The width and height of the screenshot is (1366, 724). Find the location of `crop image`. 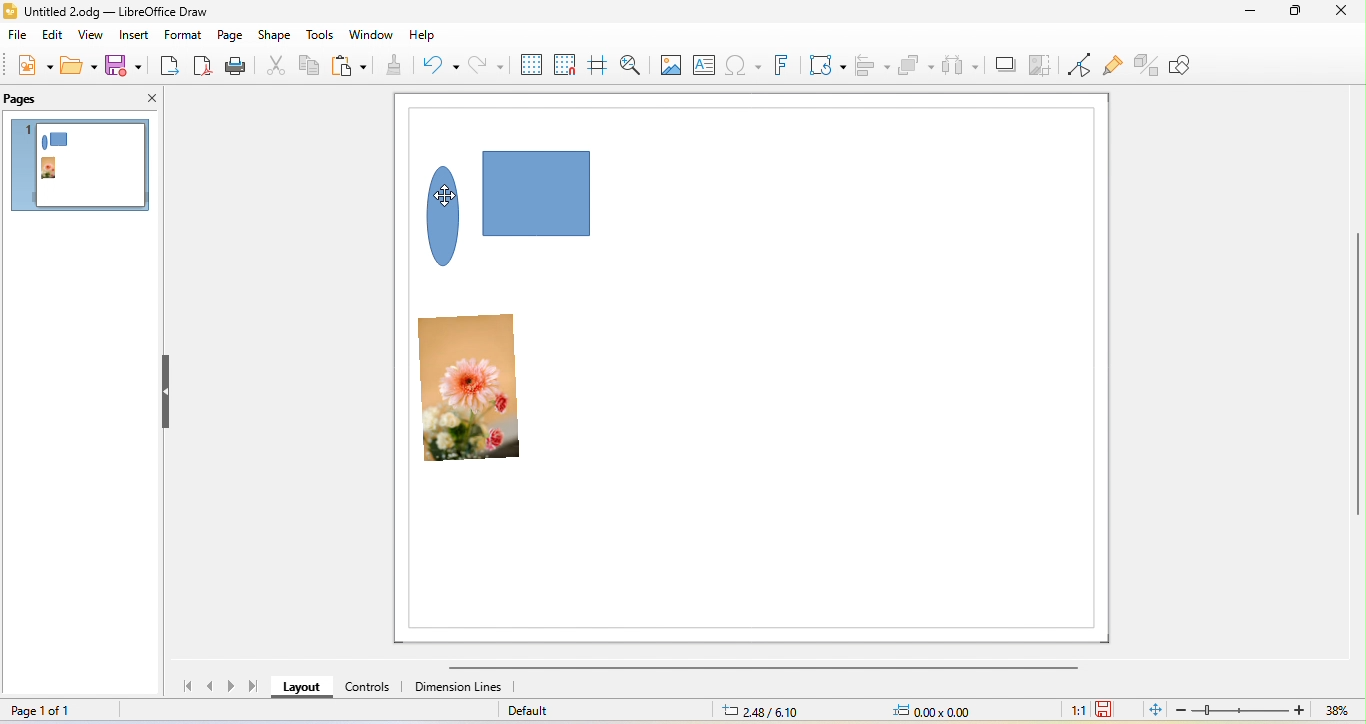

crop image is located at coordinates (1042, 54).